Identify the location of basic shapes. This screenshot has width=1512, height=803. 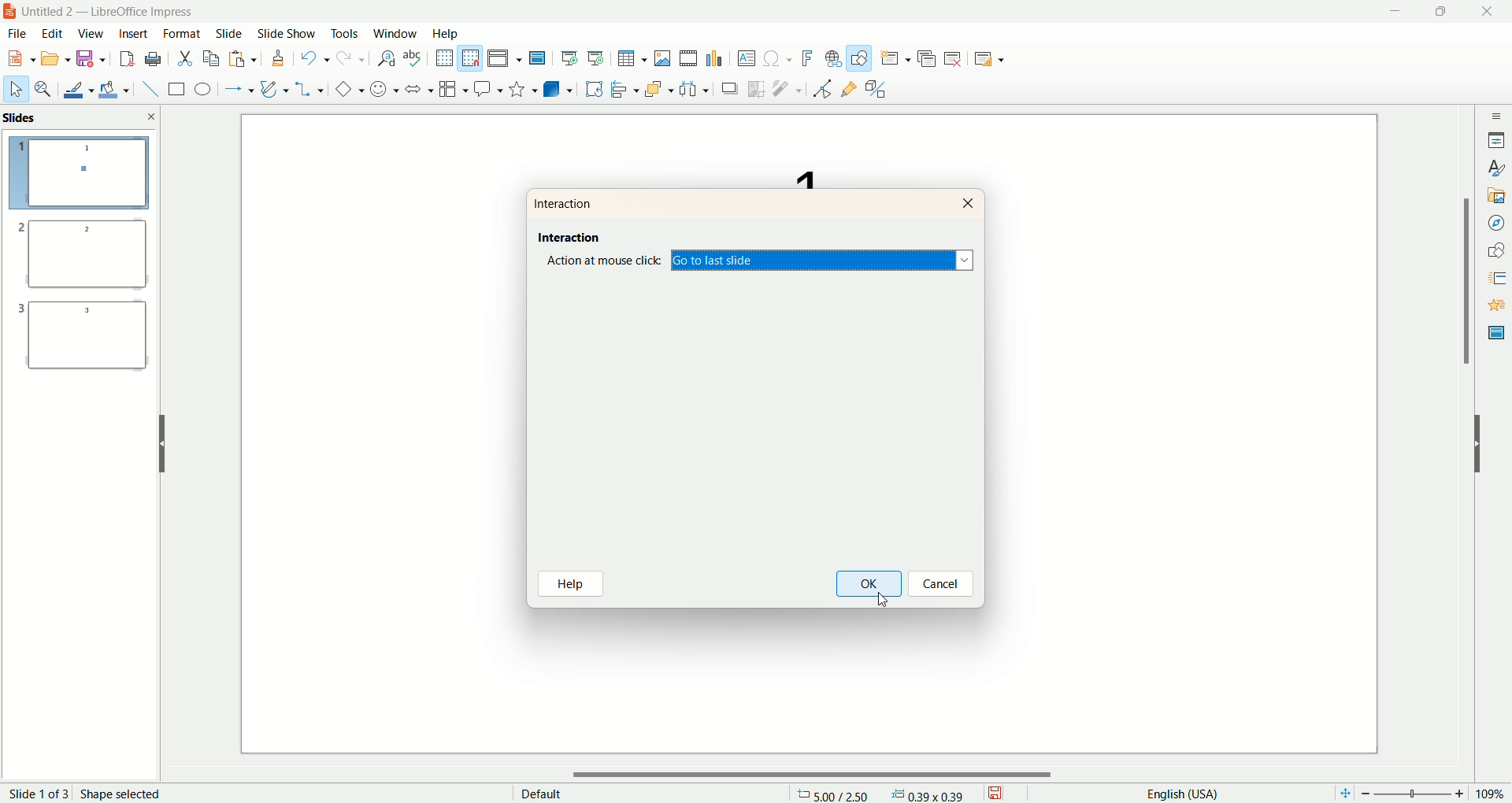
(346, 90).